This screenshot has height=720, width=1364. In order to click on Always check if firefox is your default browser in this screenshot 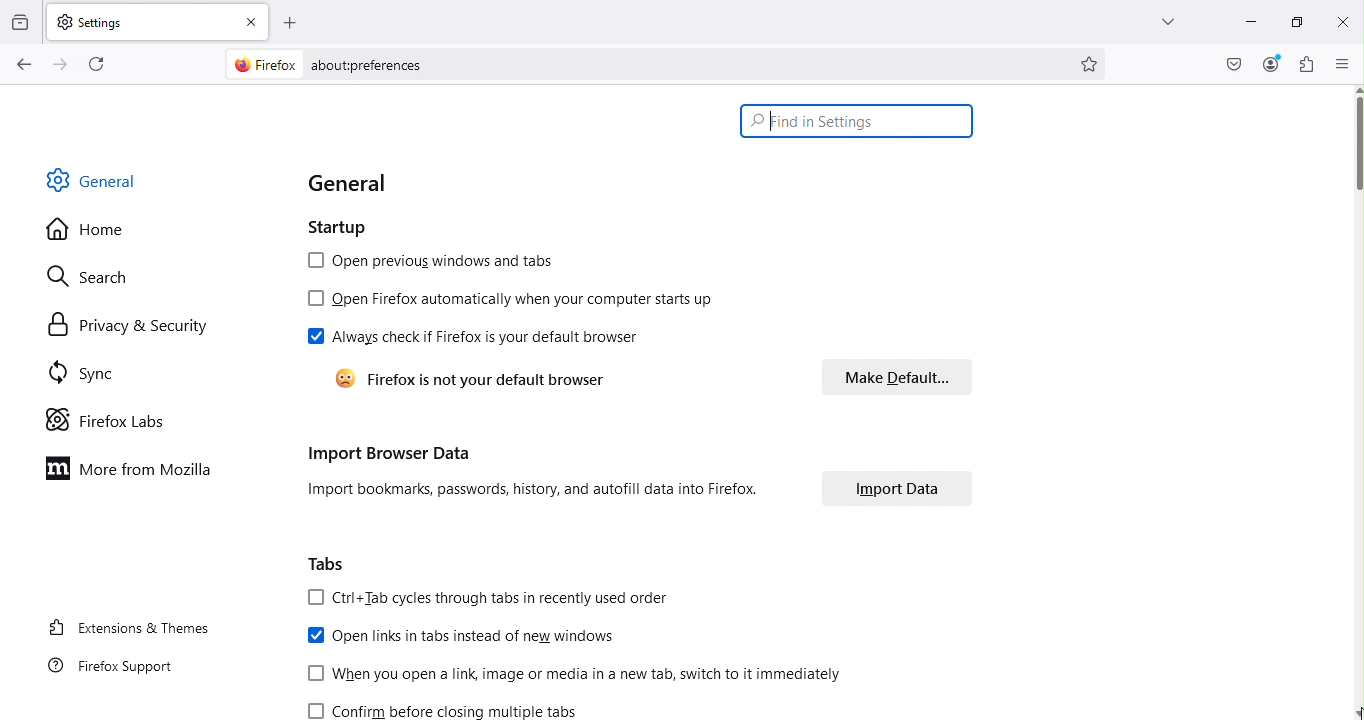, I will do `click(475, 338)`.